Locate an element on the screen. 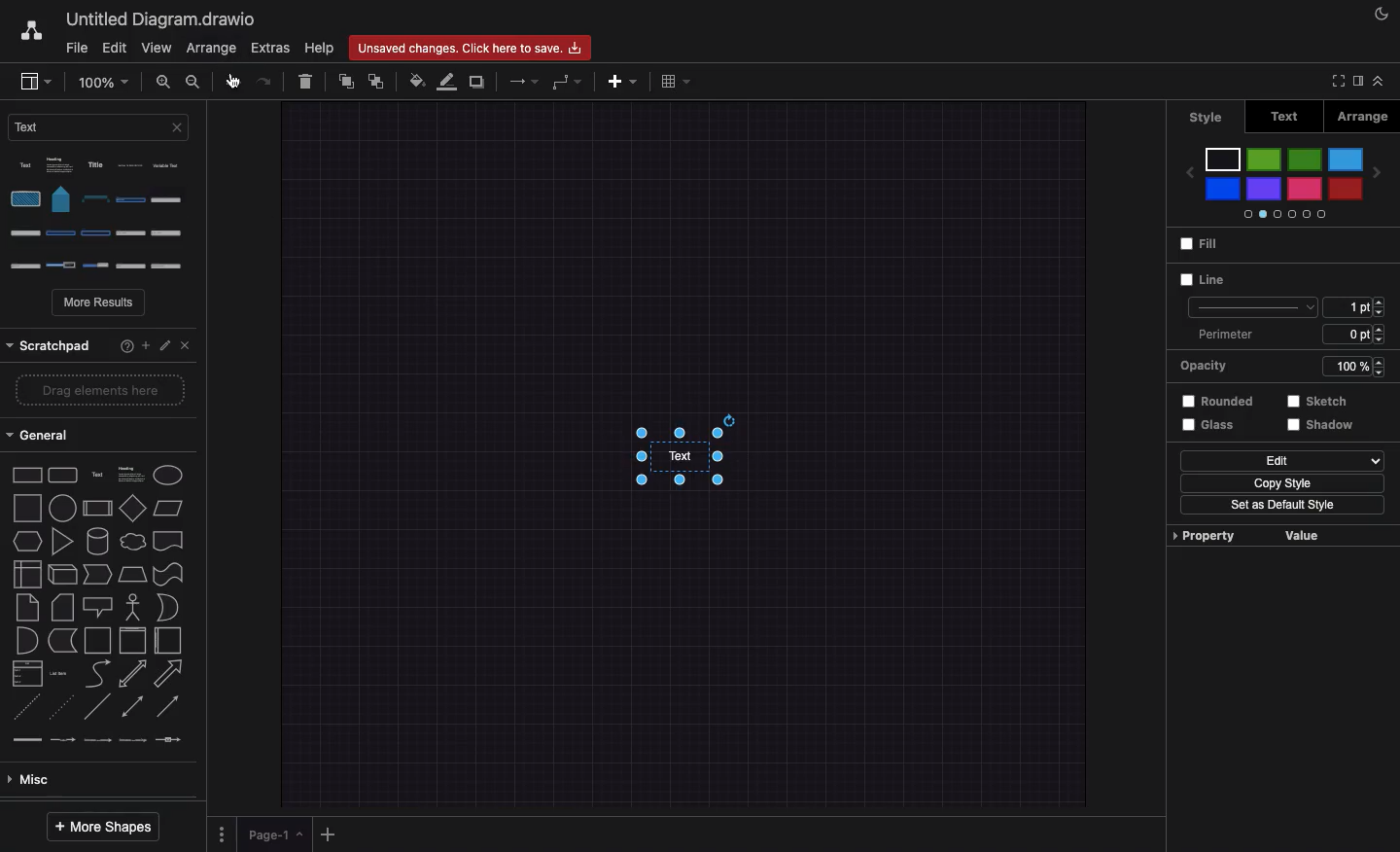 Image resolution: width=1400 pixels, height=852 pixels. Misc is located at coordinates (32, 782).